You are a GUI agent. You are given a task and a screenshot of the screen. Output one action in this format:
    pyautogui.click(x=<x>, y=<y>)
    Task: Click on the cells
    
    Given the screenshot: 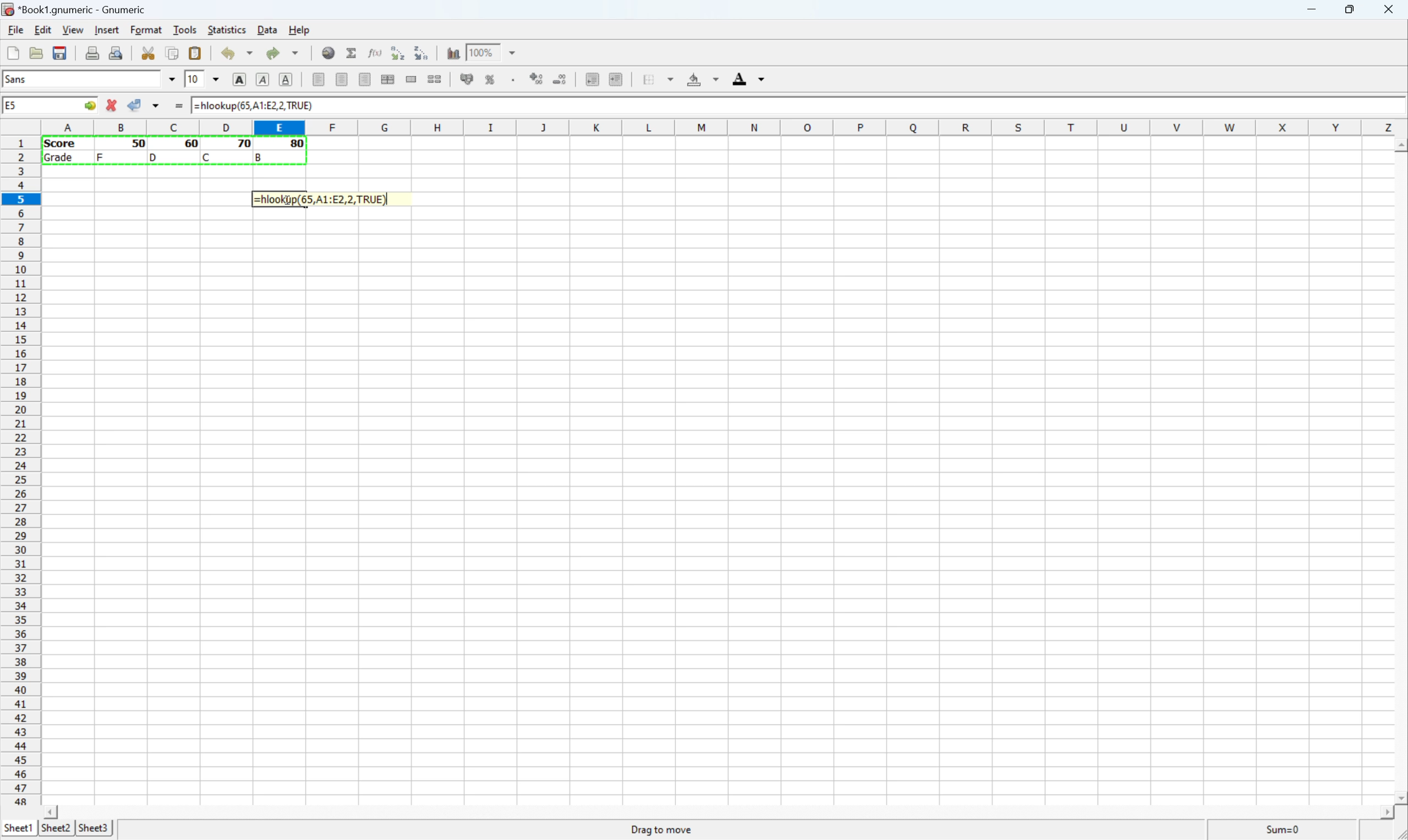 What is the action you would take?
    pyautogui.click(x=176, y=178)
    